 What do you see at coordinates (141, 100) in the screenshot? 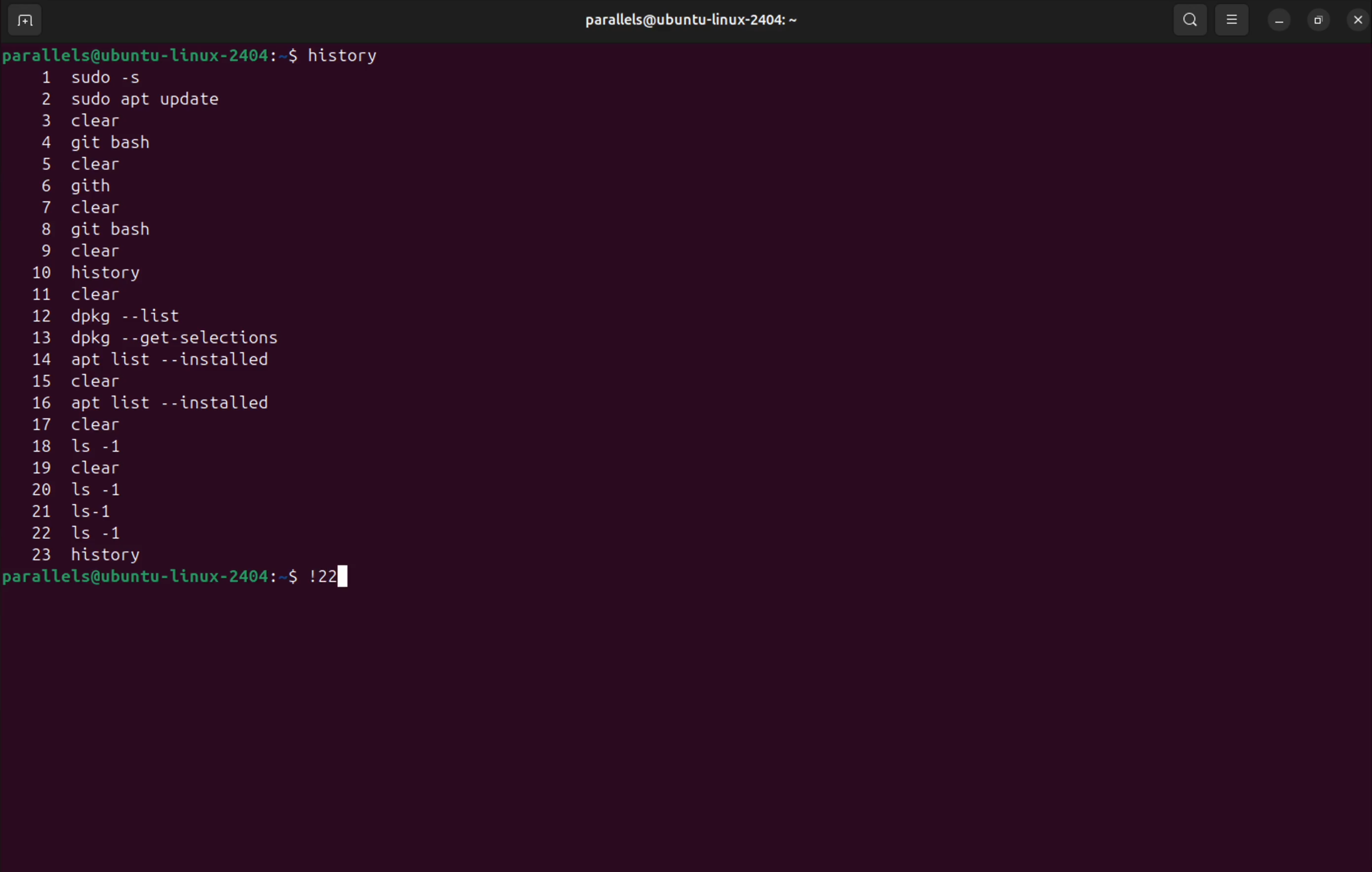
I see `2 sudo apt update` at bounding box center [141, 100].